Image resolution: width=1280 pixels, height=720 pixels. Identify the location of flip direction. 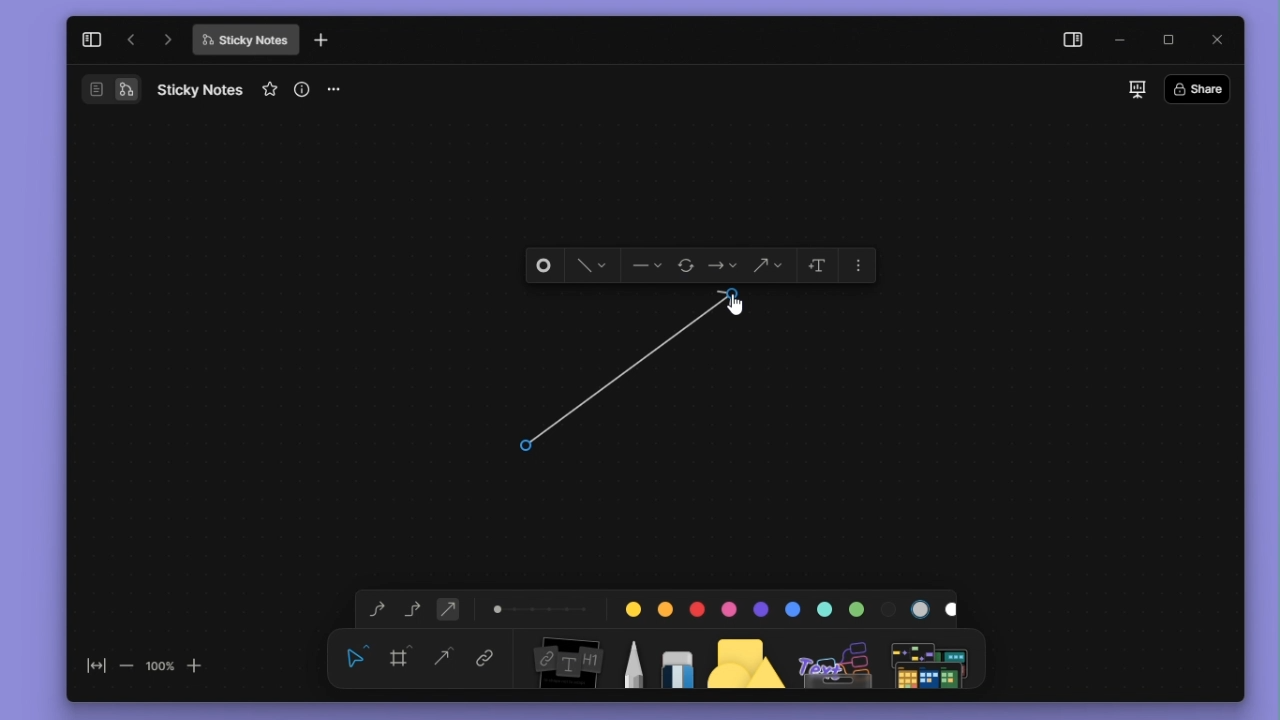
(688, 267).